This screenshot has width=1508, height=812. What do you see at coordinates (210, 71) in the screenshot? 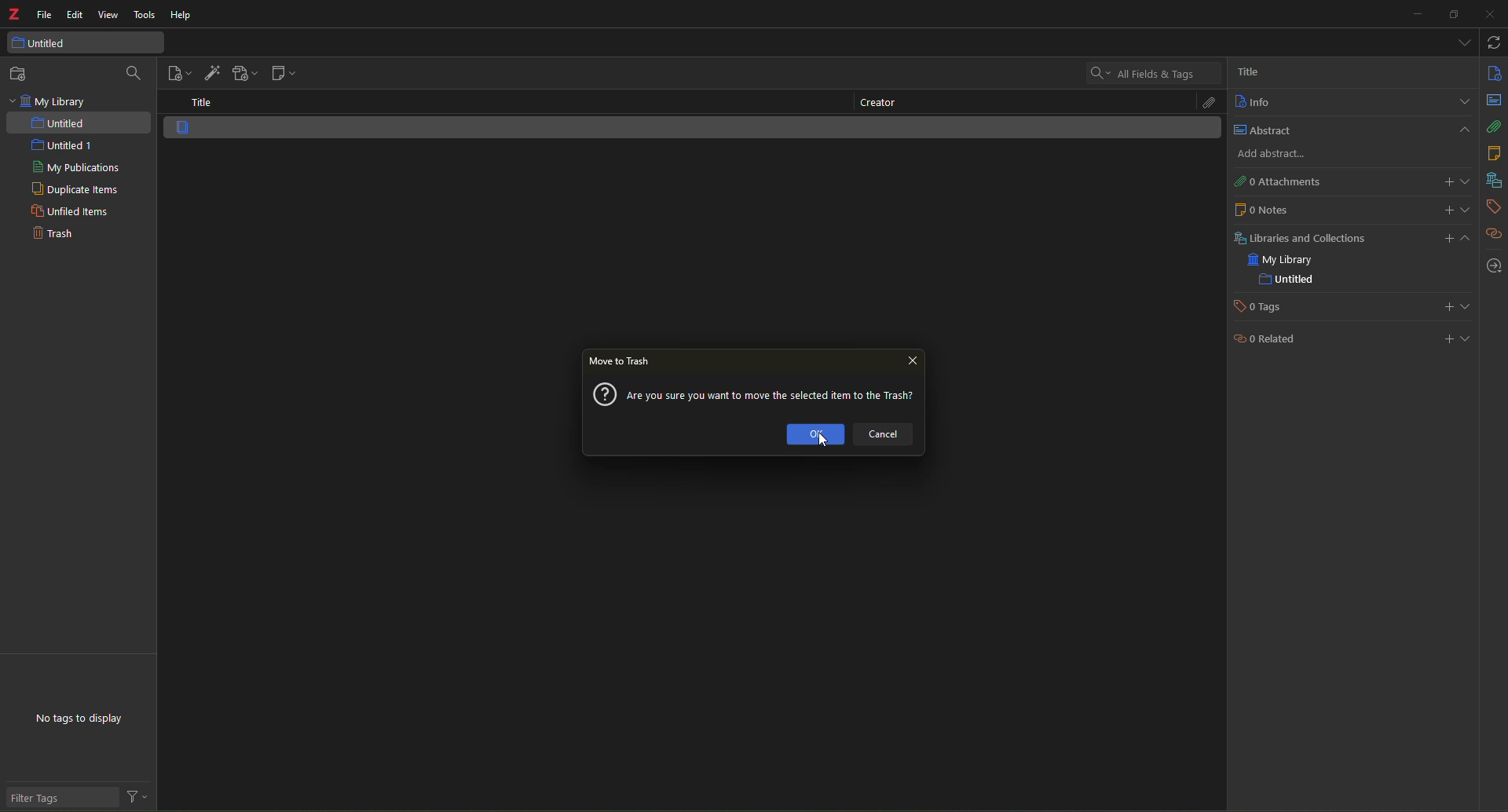
I see `add item` at bounding box center [210, 71].